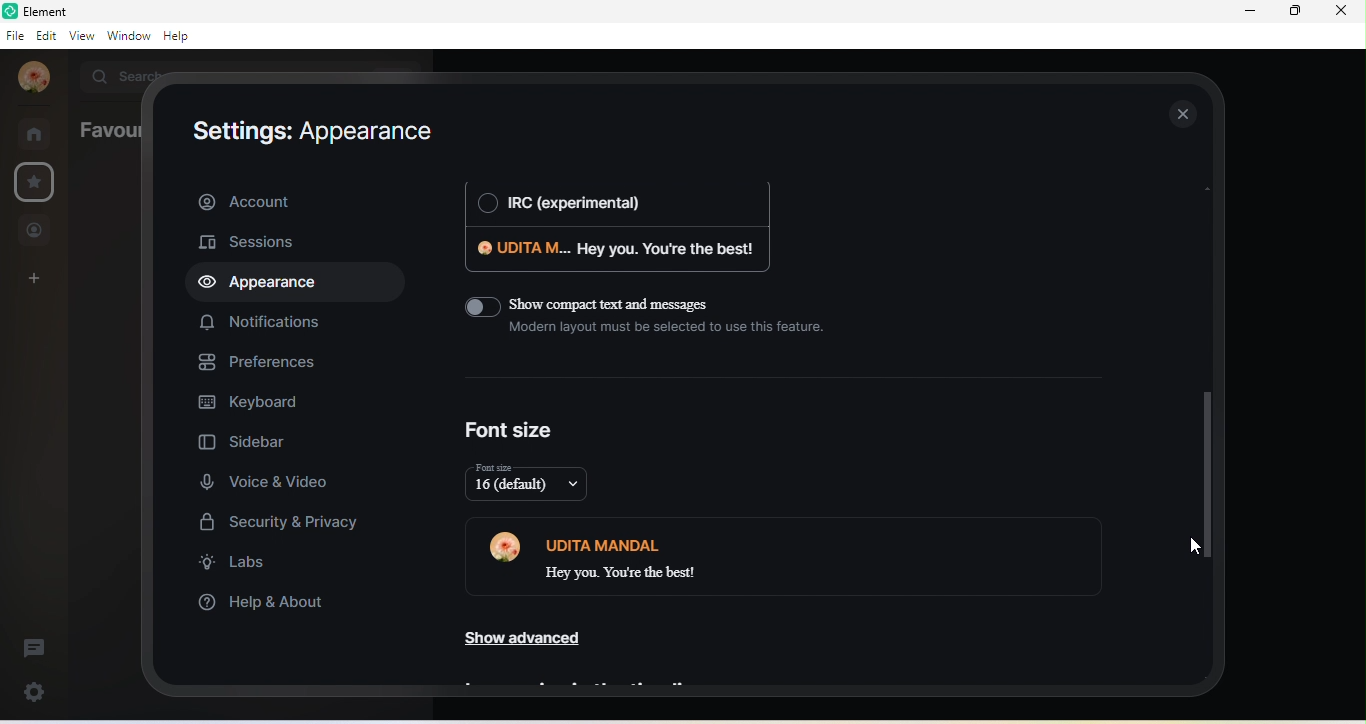 The width and height of the screenshot is (1366, 724). Describe the element at coordinates (78, 36) in the screenshot. I see `view` at that location.